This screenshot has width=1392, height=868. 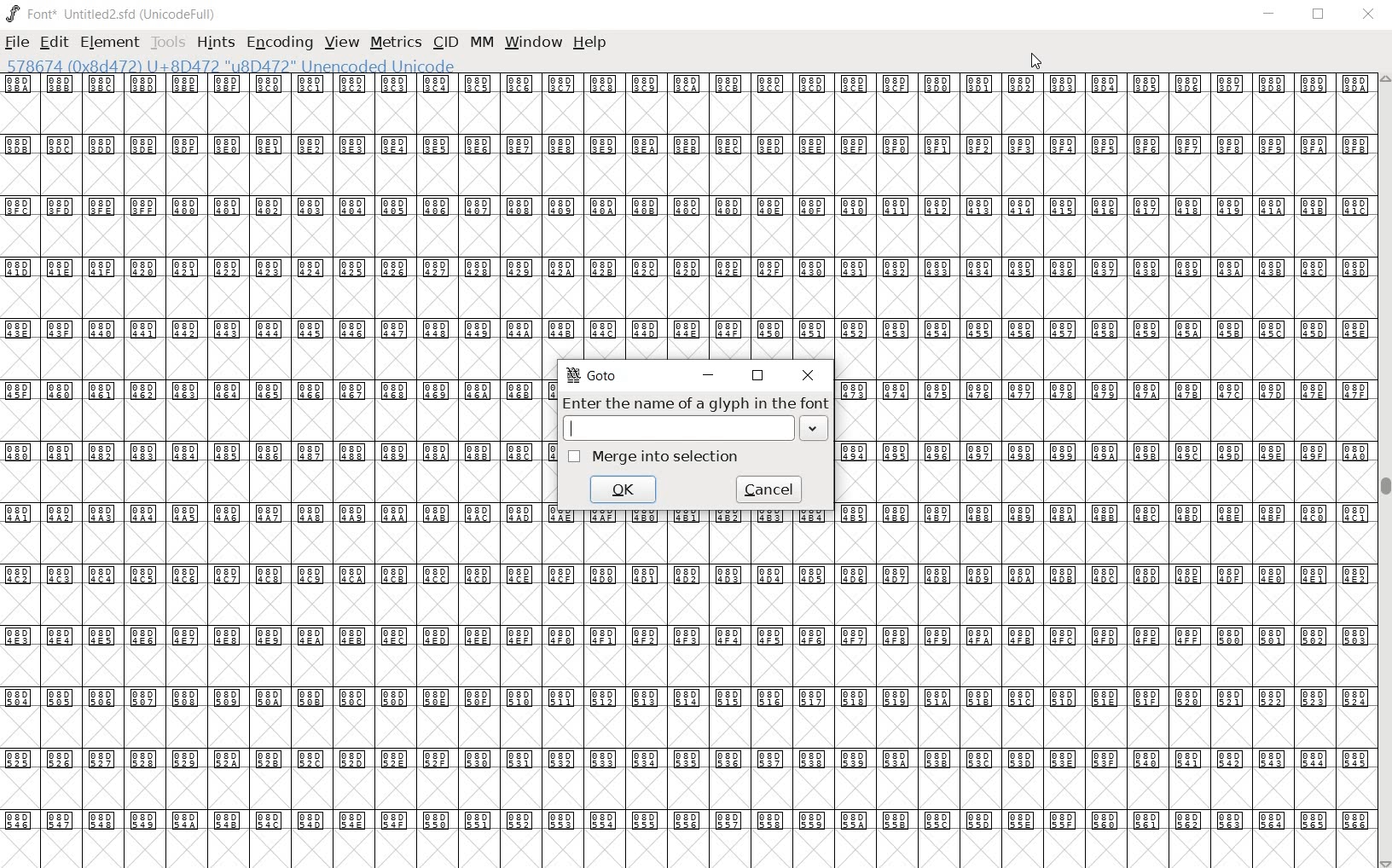 I want to click on close, so click(x=808, y=376).